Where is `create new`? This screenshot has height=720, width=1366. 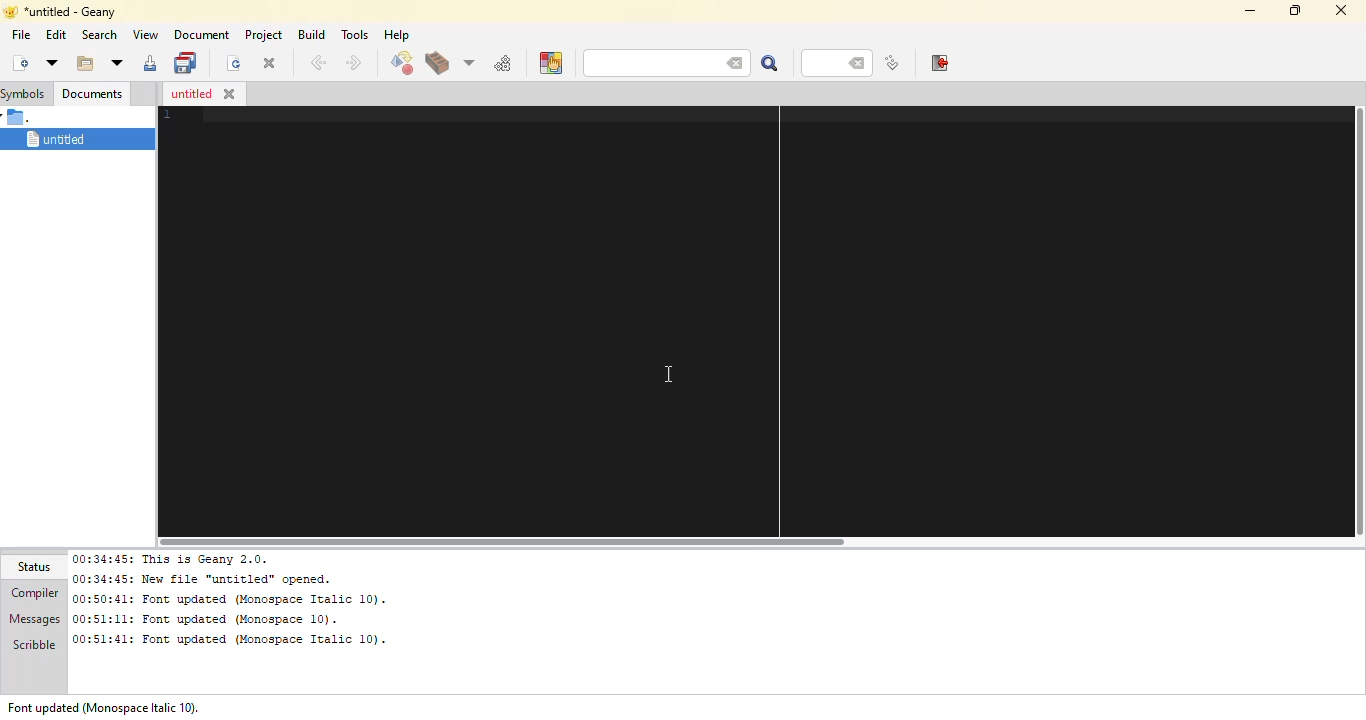
create new is located at coordinates (19, 62).